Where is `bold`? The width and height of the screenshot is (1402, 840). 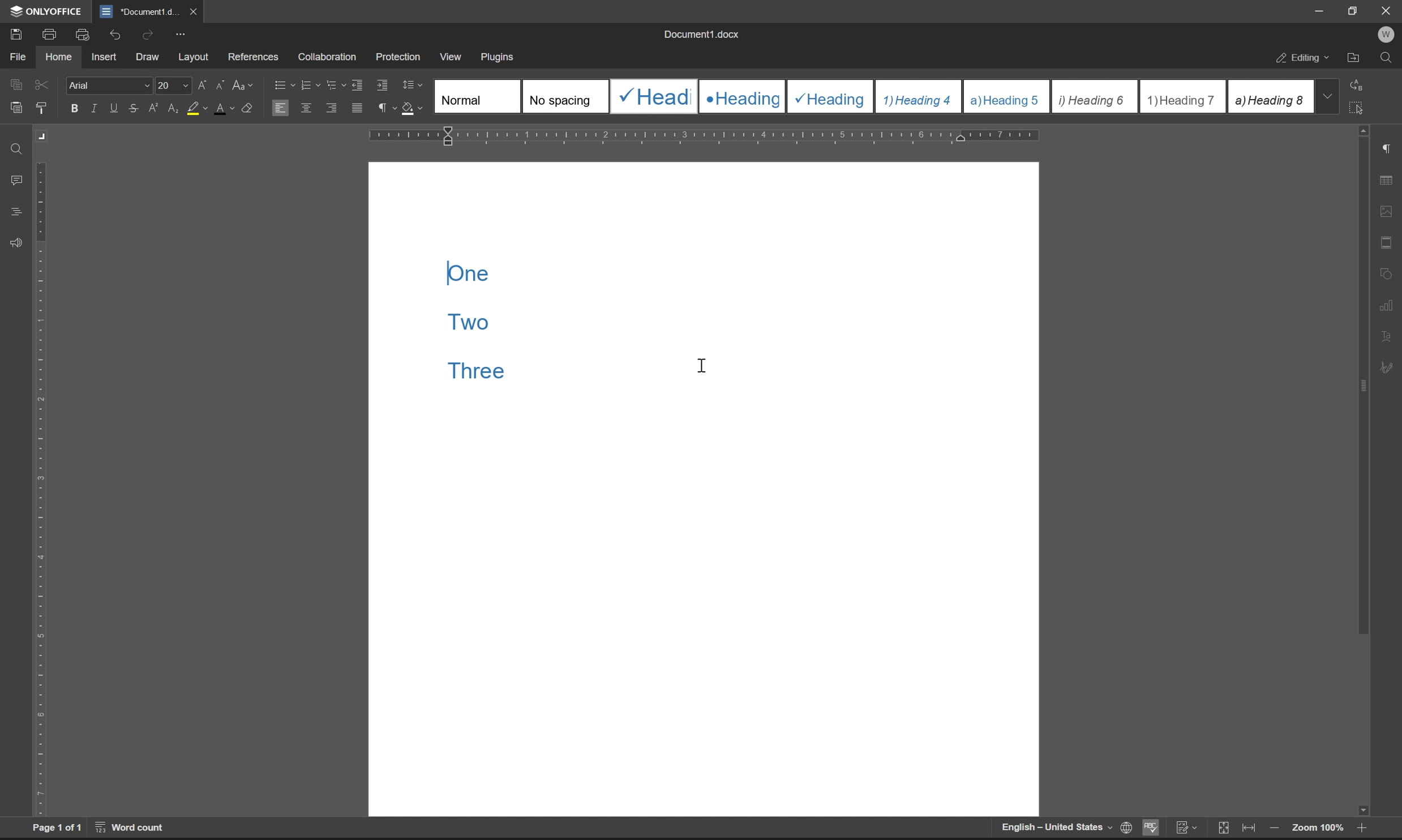
bold is located at coordinates (75, 109).